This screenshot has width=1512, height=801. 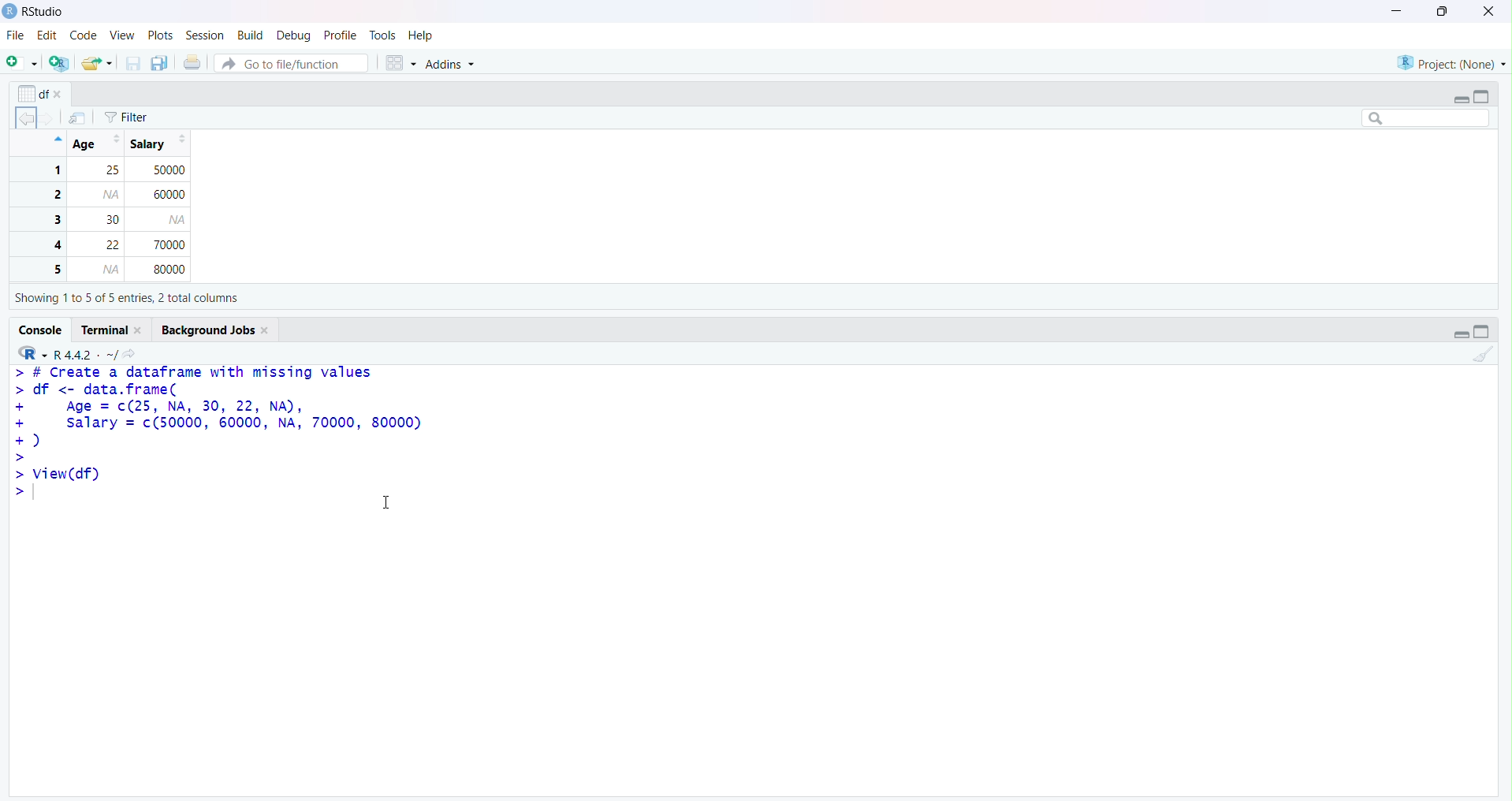 What do you see at coordinates (41, 330) in the screenshot?
I see `Console` at bounding box center [41, 330].